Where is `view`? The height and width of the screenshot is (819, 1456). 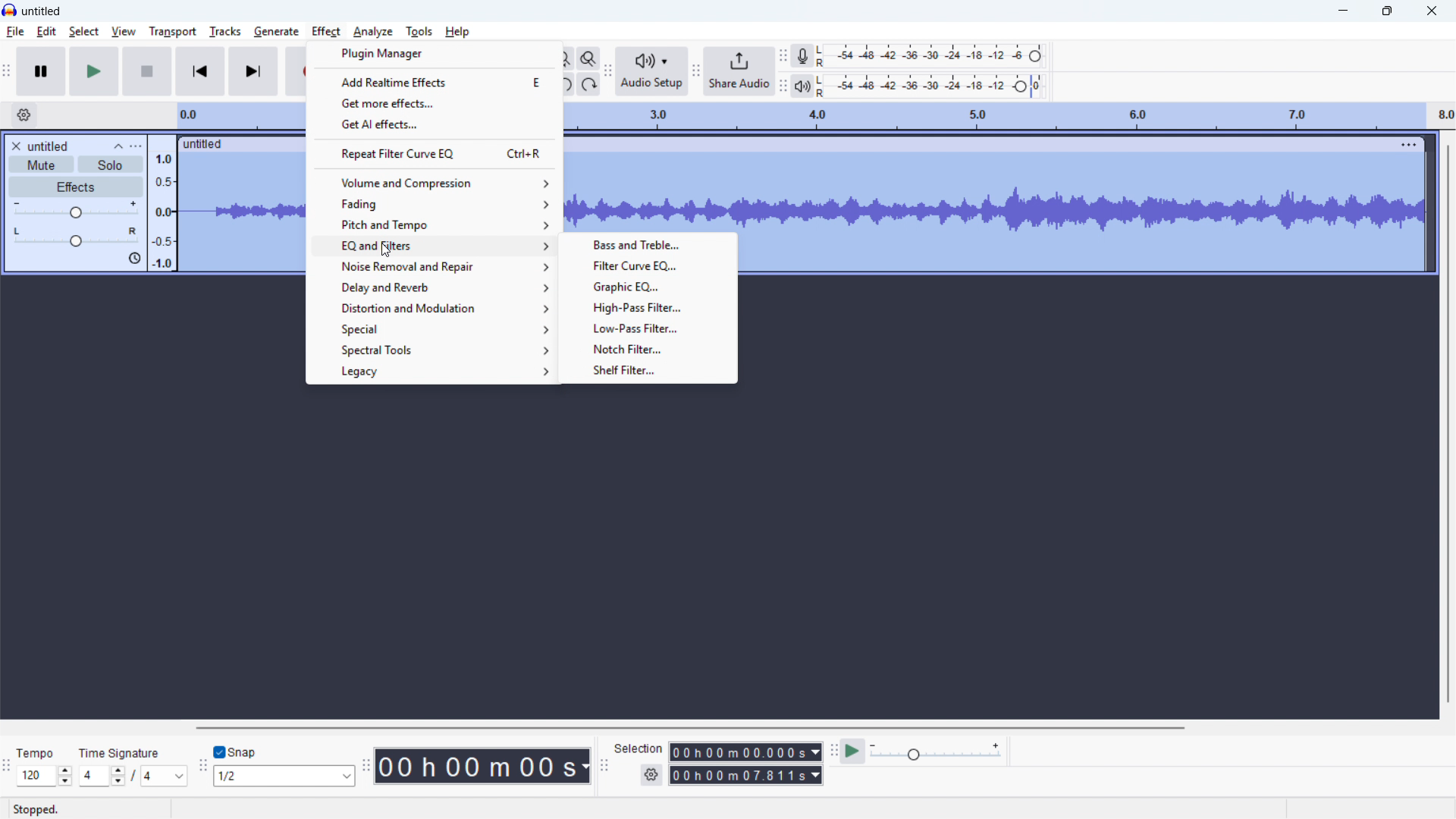
view is located at coordinates (124, 31).